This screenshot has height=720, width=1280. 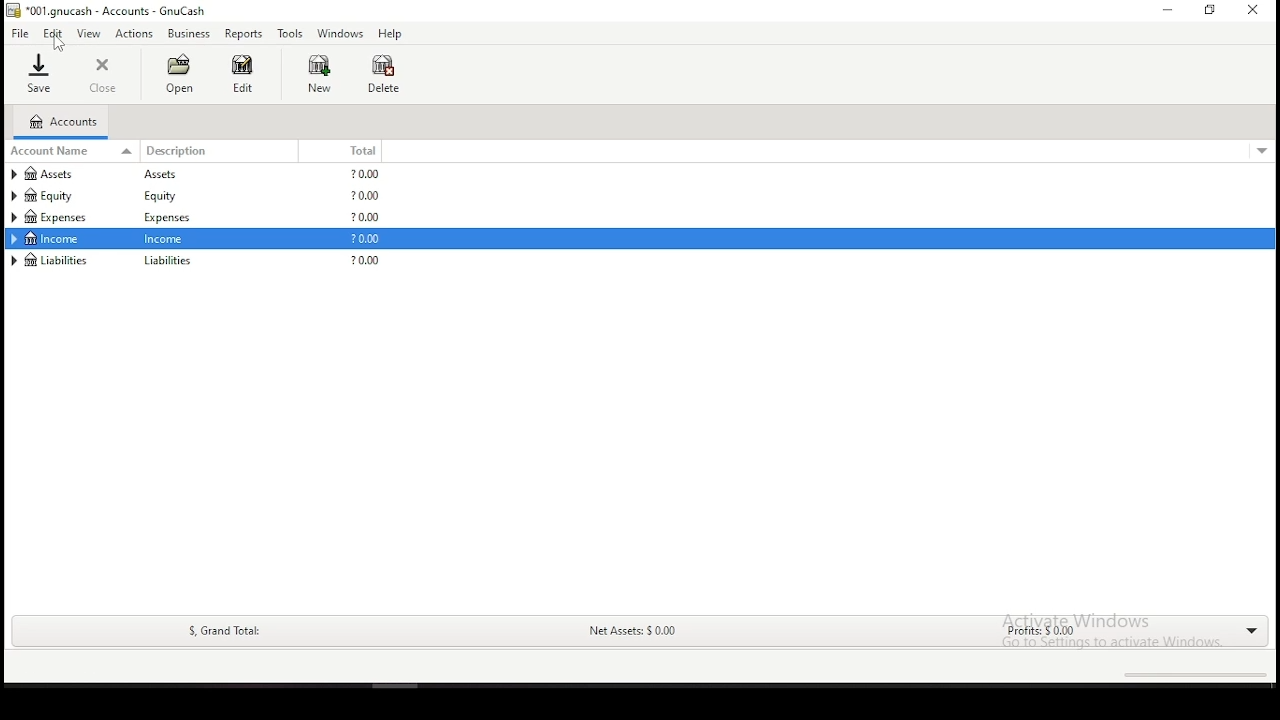 I want to click on minimize, so click(x=1165, y=10).